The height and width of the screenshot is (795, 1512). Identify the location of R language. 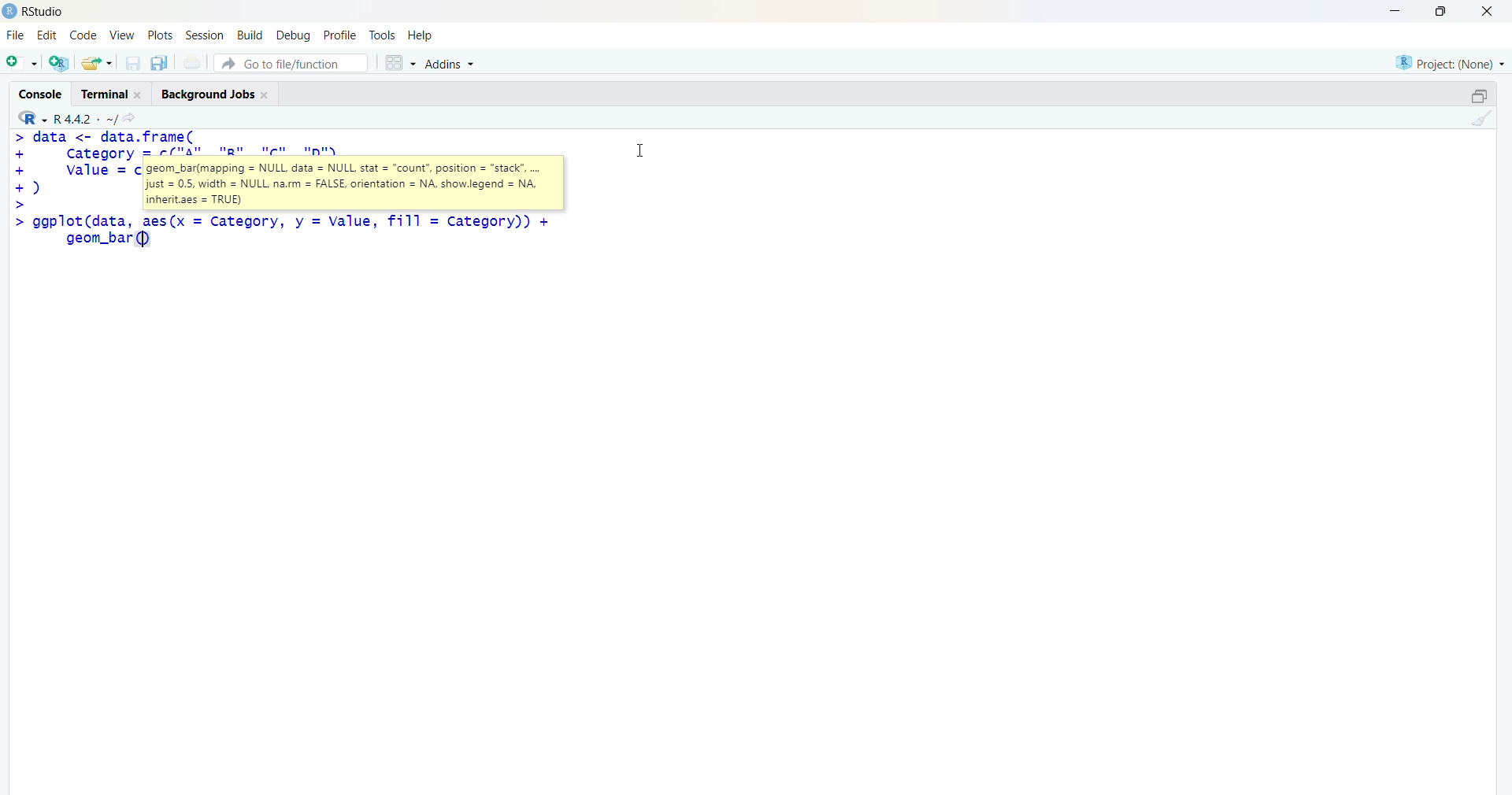
(34, 118).